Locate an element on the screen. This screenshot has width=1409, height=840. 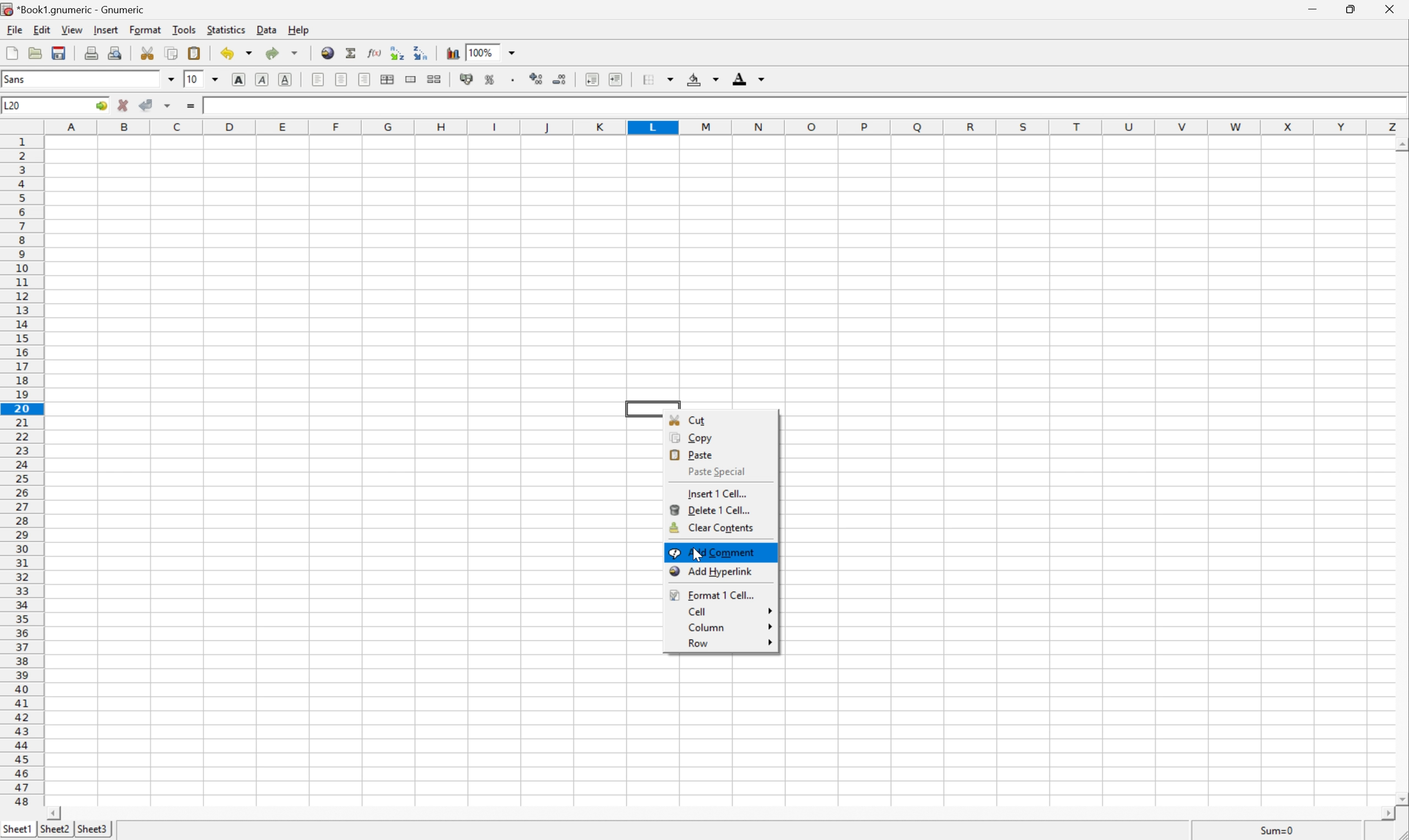
Cursor is located at coordinates (697, 555).